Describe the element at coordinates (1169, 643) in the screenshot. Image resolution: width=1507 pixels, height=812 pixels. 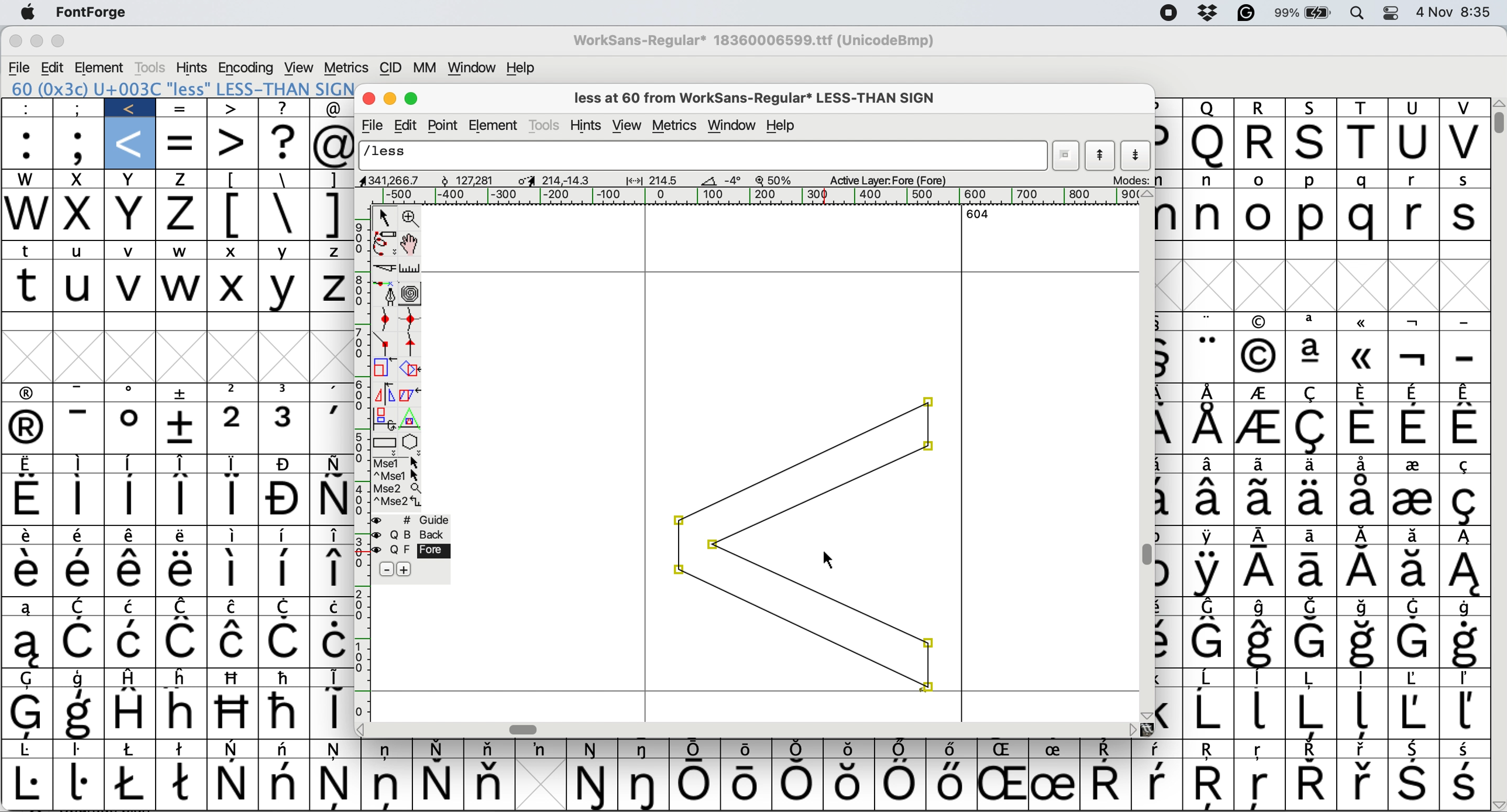
I see `Symbol` at that location.